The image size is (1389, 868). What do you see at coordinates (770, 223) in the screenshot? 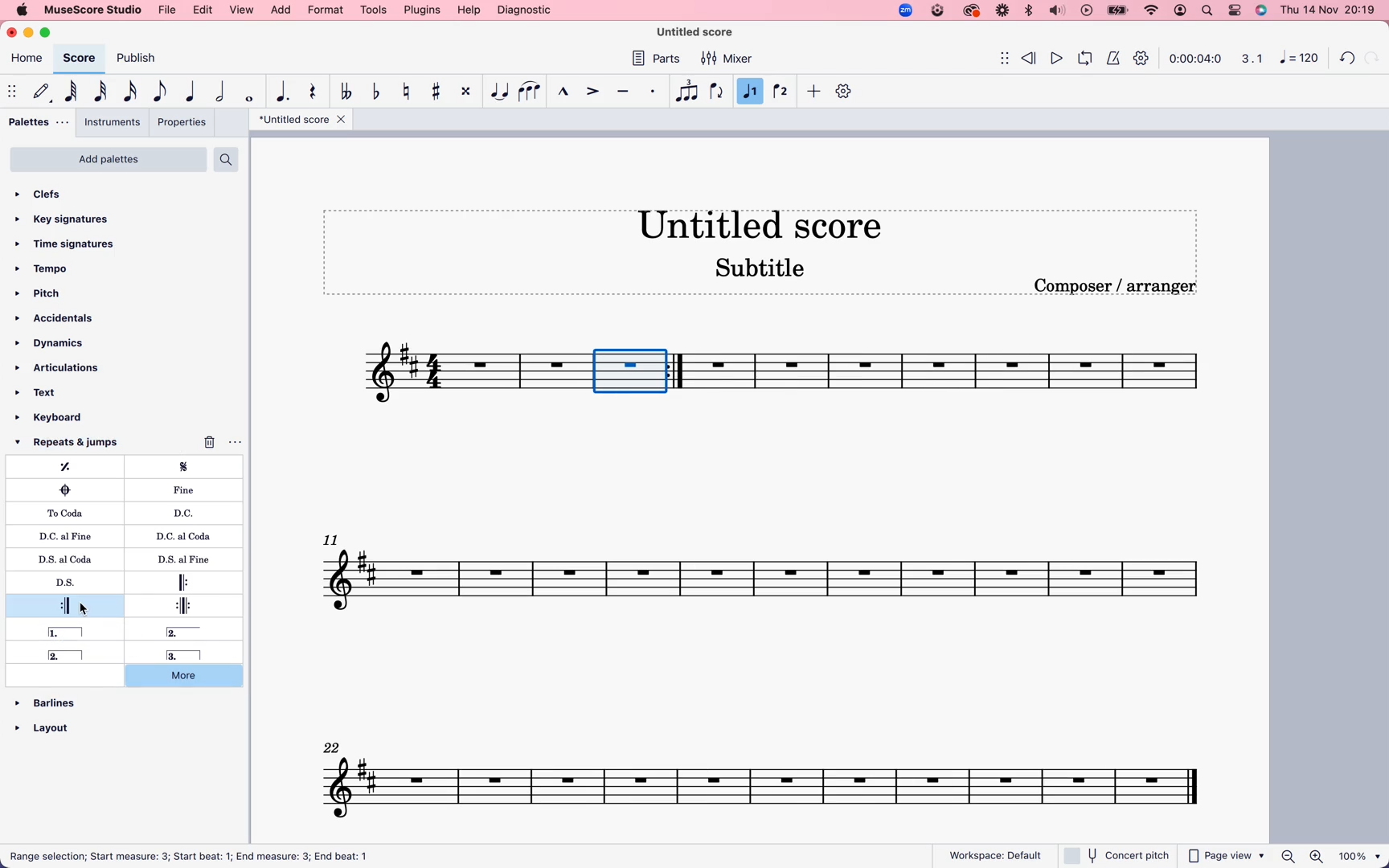
I see `score name` at bounding box center [770, 223].